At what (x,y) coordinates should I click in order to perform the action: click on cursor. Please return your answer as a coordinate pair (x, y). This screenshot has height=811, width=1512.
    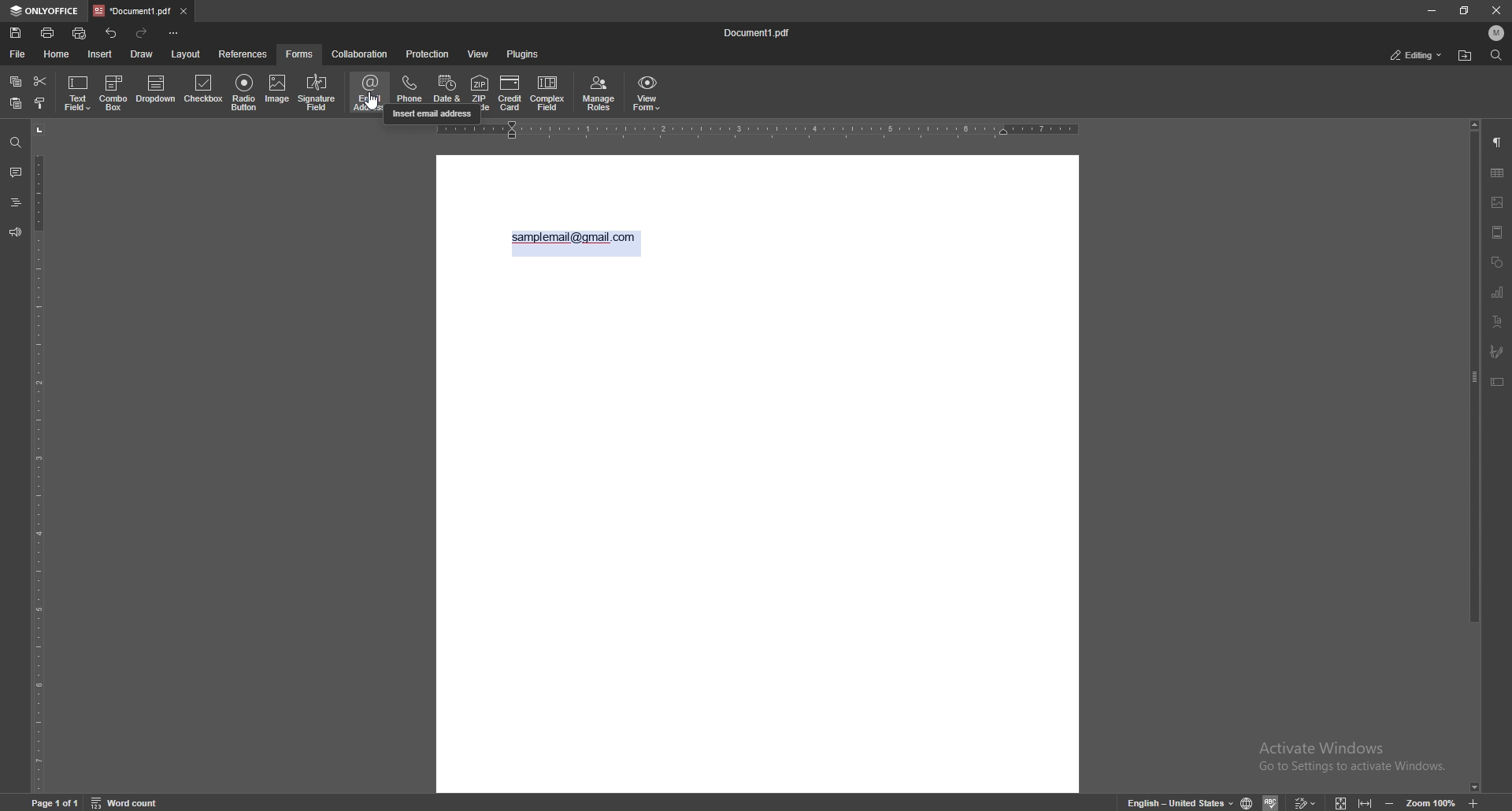
    Looking at the image, I should click on (372, 109).